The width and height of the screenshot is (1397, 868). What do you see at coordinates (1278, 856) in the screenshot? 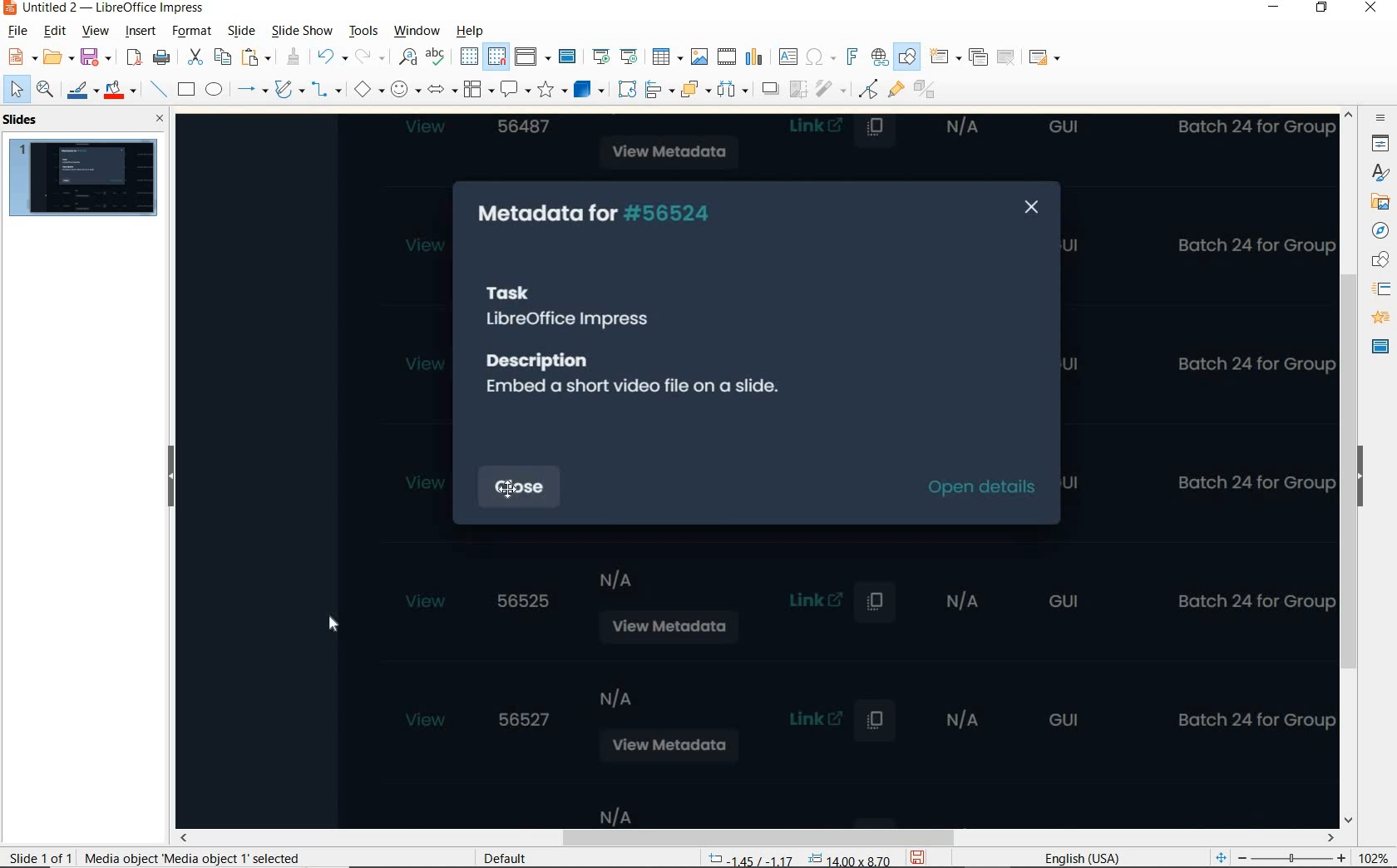
I see `ZOOM OUT OR ZOOM IN` at bounding box center [1278, 856].